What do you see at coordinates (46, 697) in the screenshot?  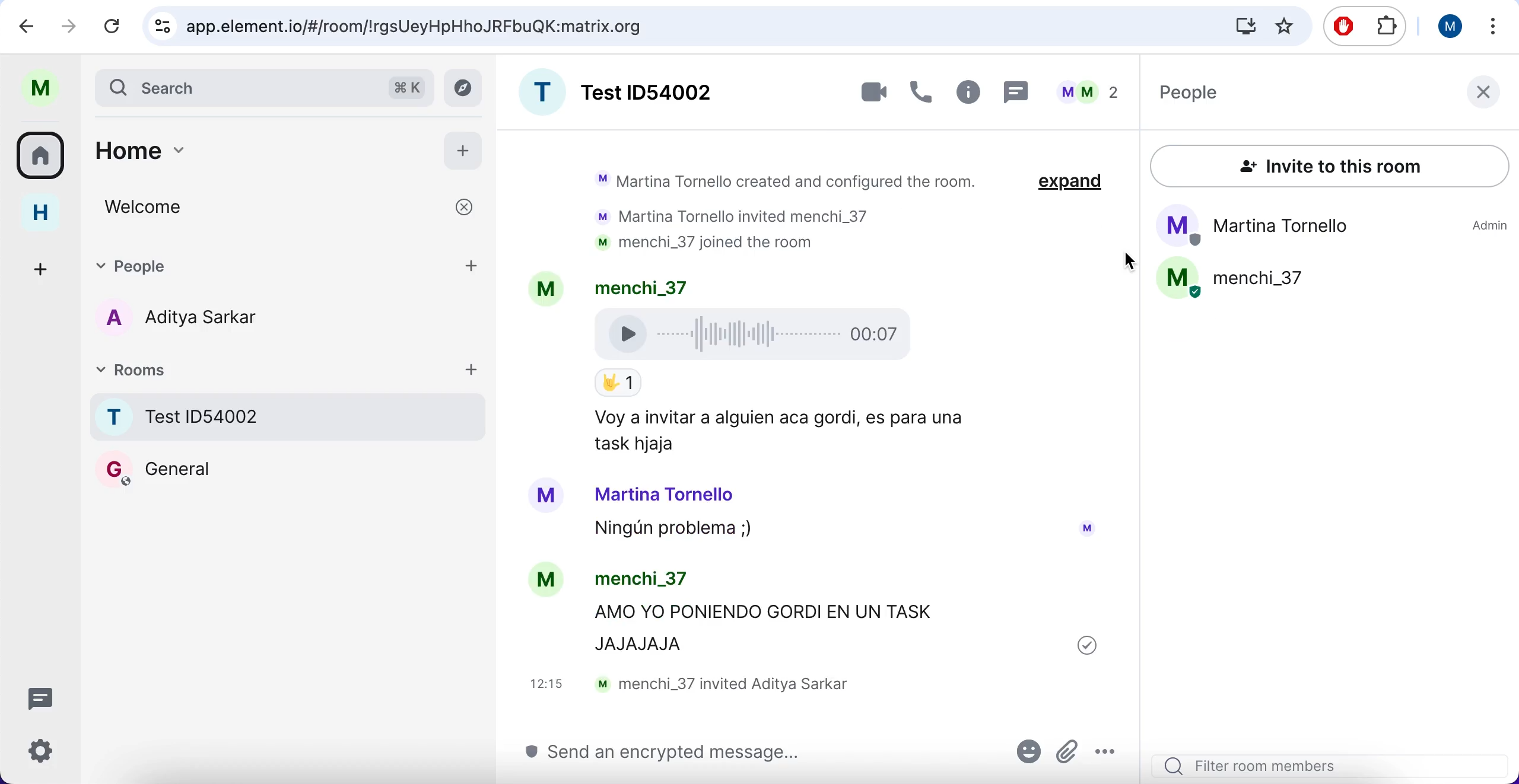 I see `chat` at bounding box center [46, 697].